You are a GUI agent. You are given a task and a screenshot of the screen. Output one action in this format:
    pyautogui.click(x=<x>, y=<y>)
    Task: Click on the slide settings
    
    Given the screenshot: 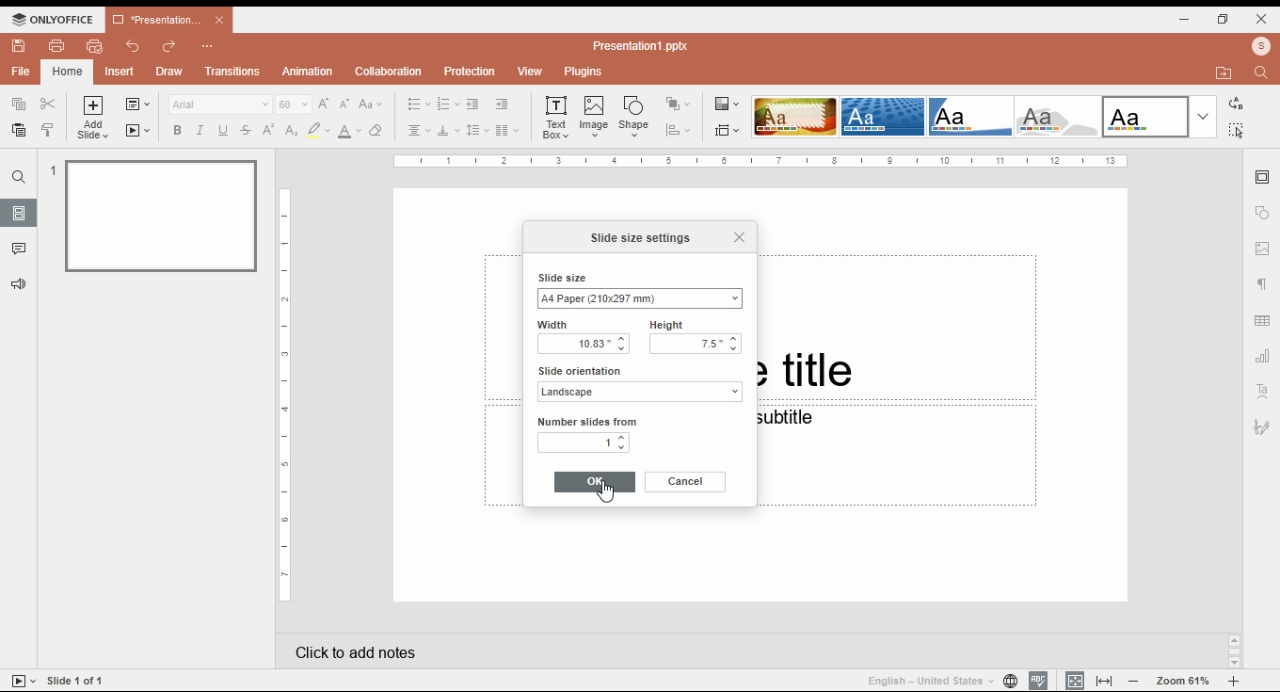 What is the action you would take?
    pyautogui.click(x=1264, y=178)
    